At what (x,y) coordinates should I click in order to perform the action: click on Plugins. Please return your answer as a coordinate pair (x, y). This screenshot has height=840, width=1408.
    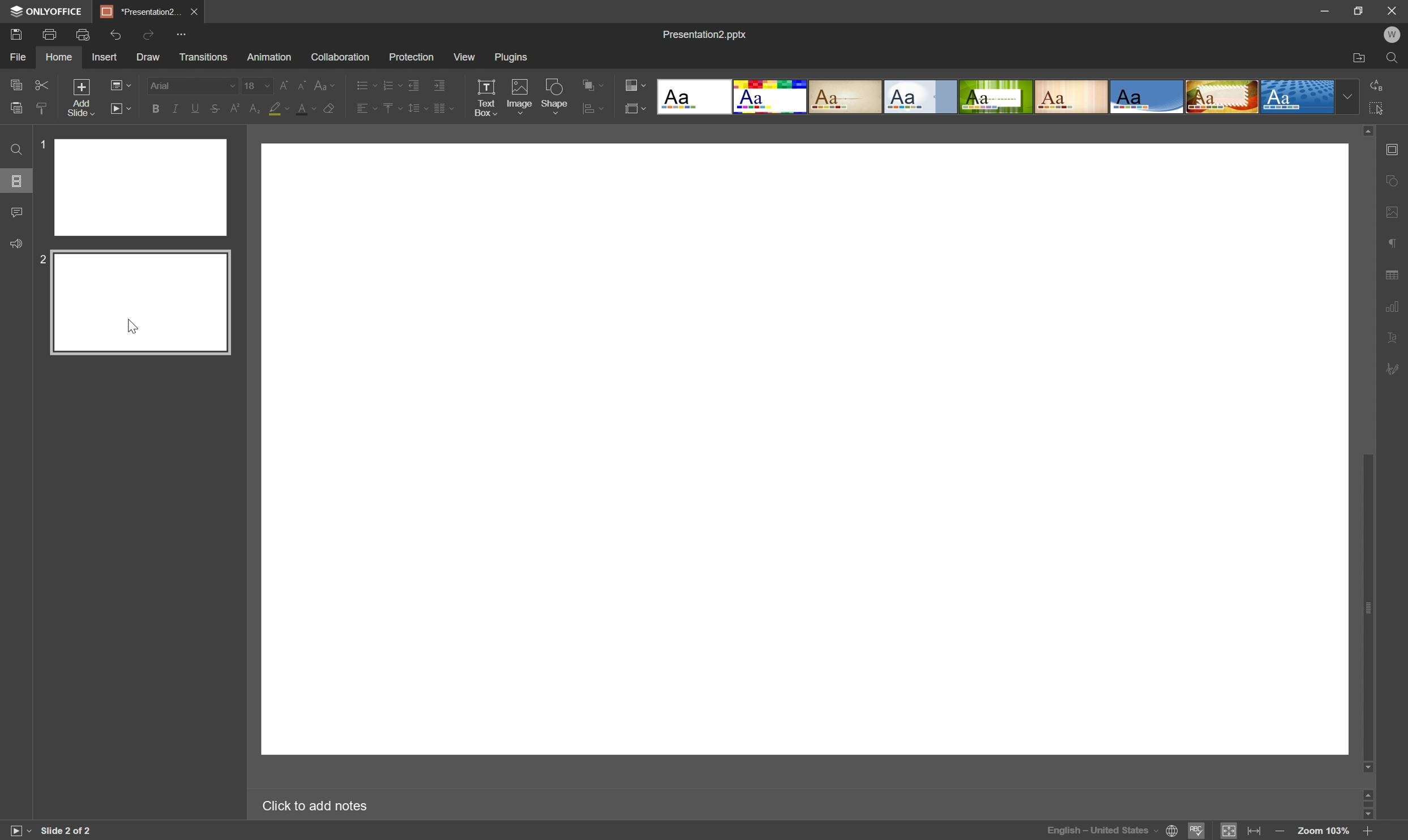
    Looking at the image, I should click on (512, 57).